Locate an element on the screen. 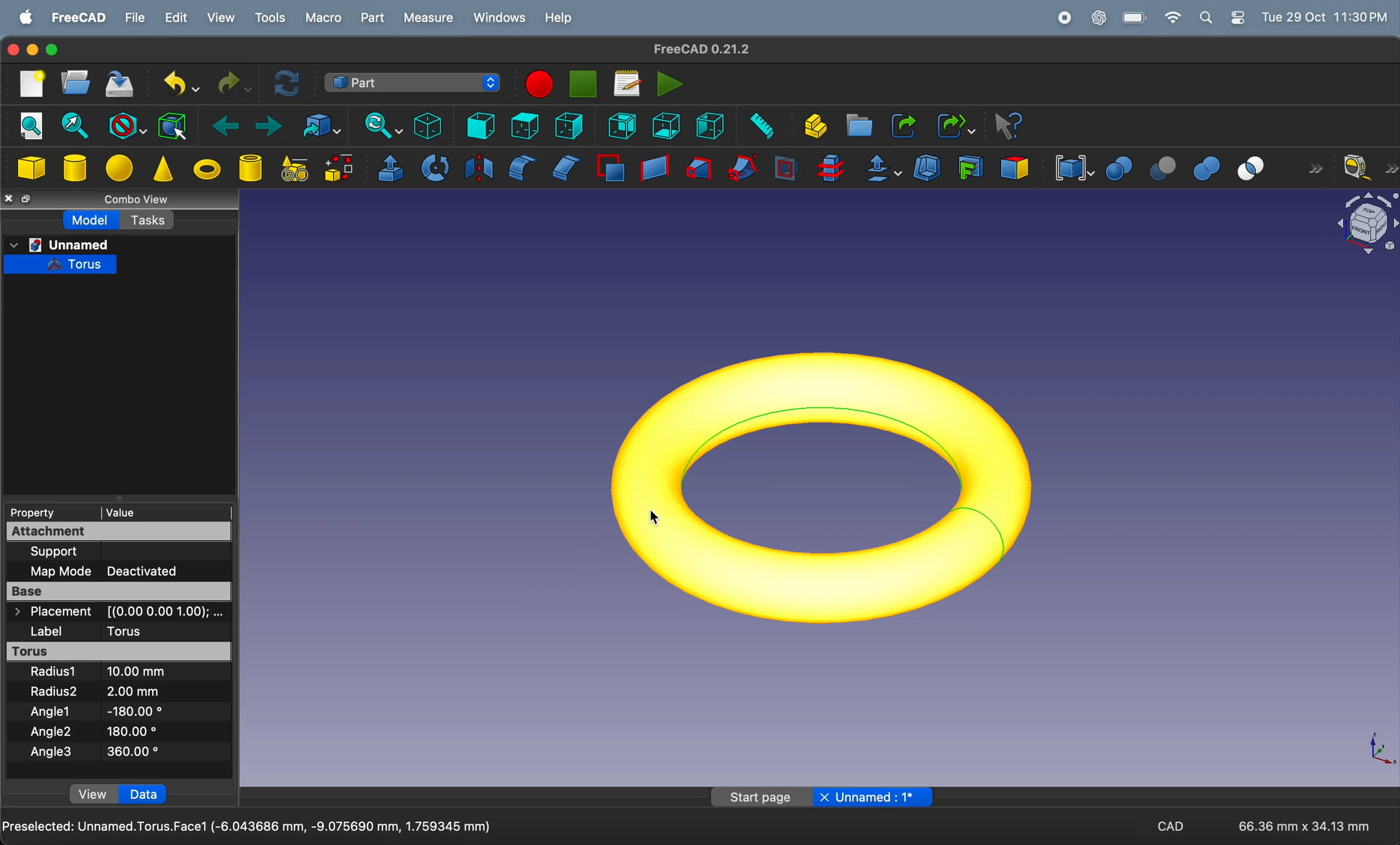  measure liner is located at coordinates (1370, 168).